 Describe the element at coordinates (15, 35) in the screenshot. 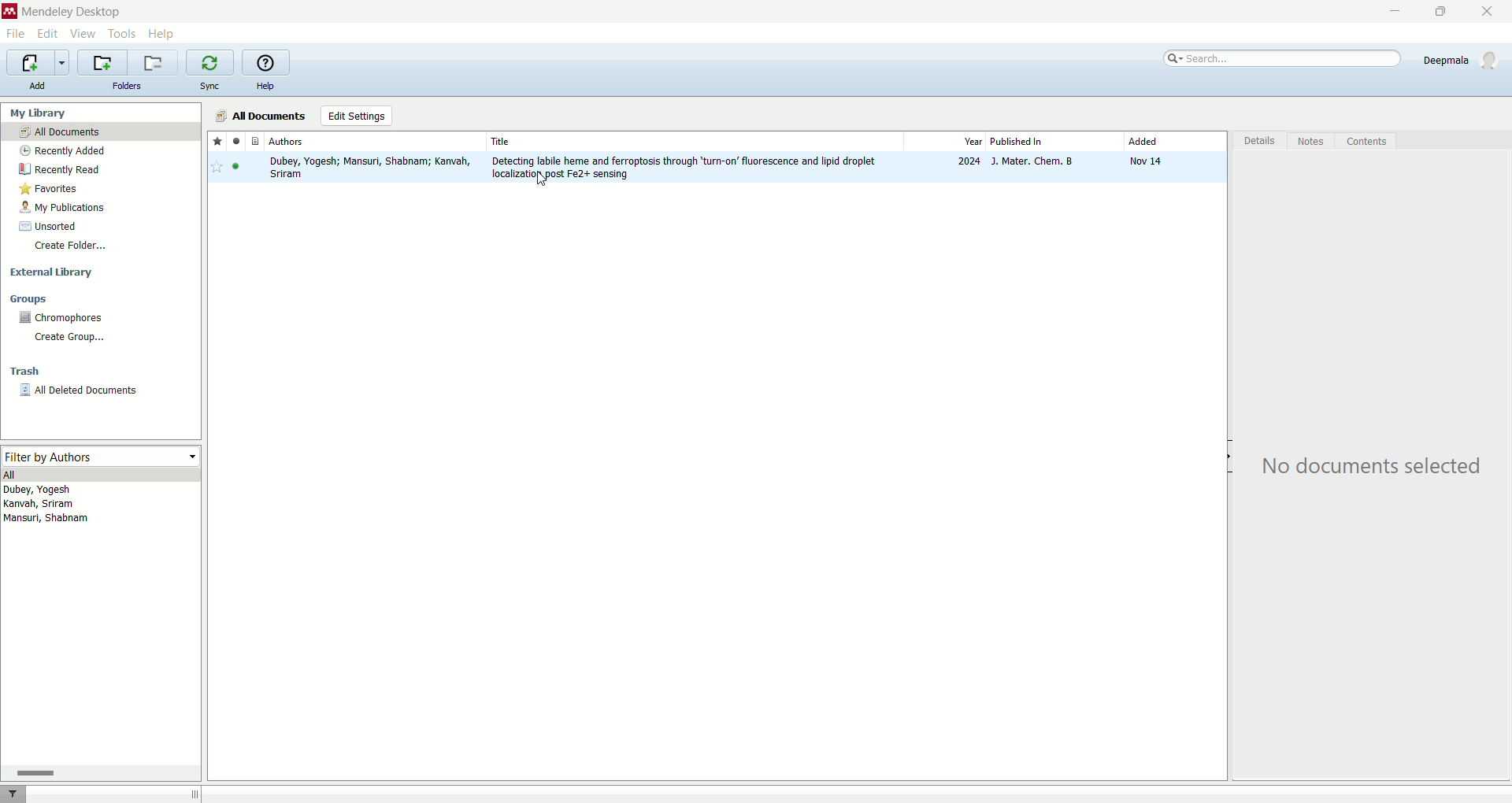

I see `file` at that location.